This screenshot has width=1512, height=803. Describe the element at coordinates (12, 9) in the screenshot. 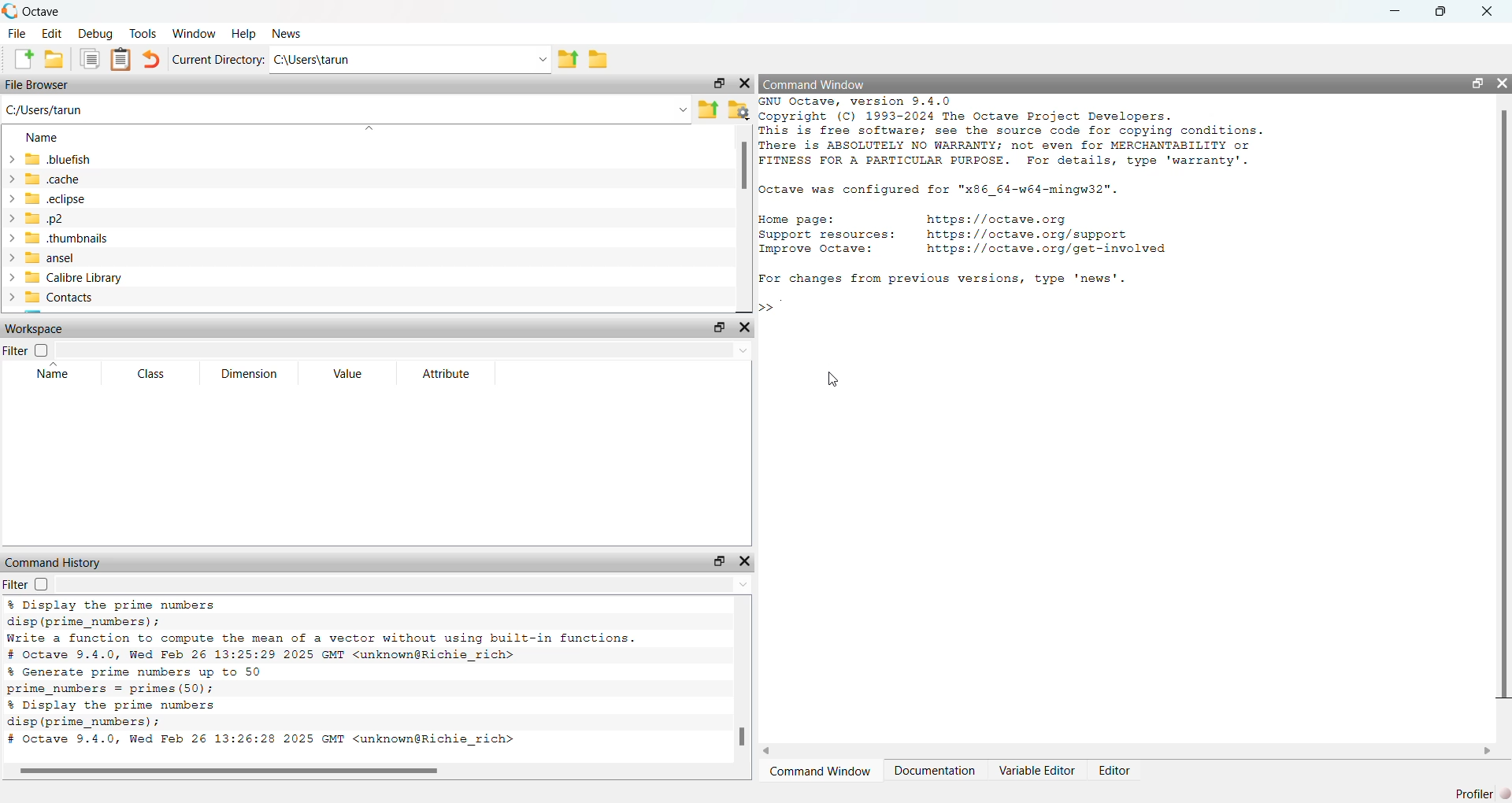

I see `logo` at that location.